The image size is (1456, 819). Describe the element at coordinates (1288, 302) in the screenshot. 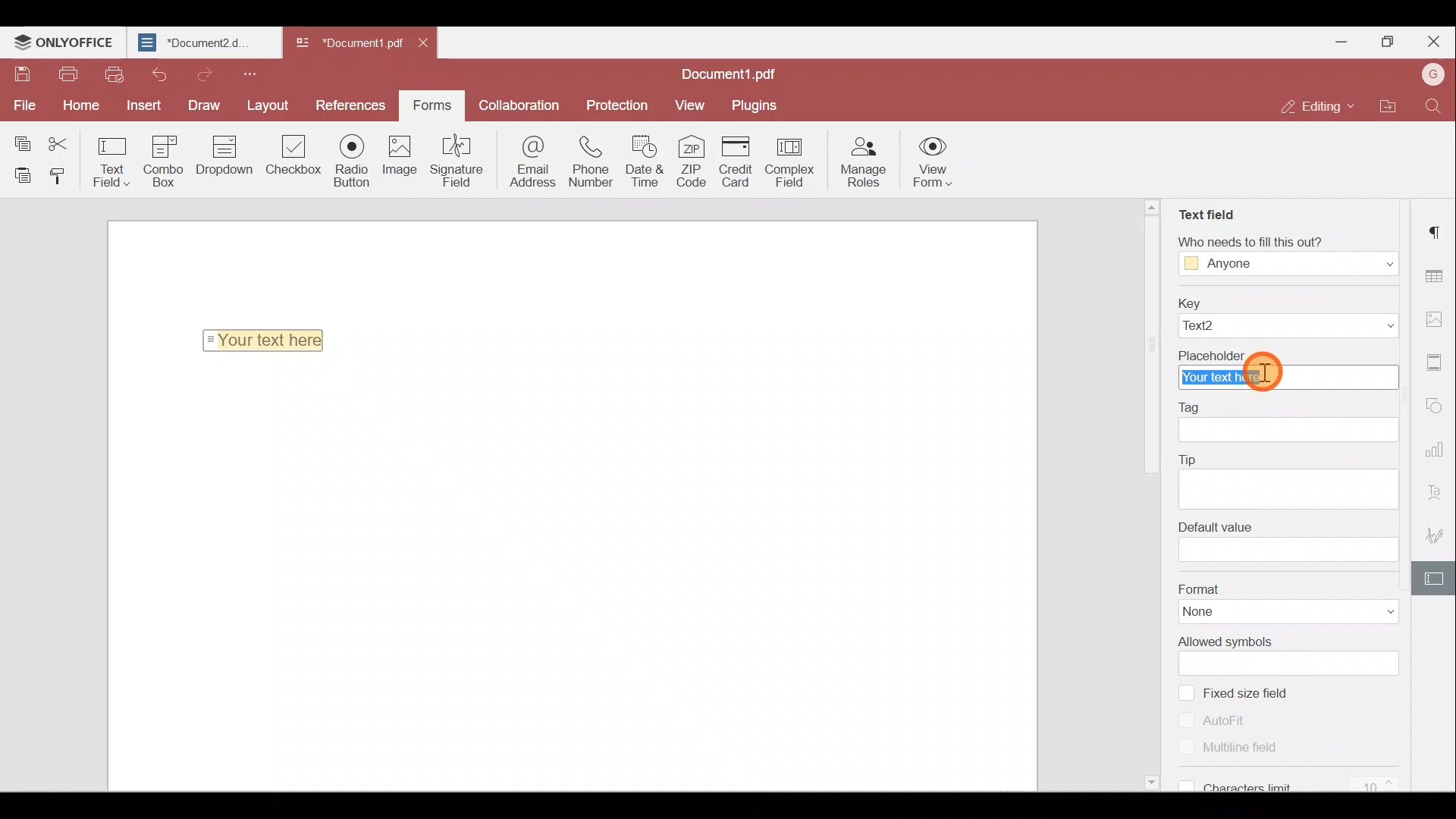

I see `Key` at that location.